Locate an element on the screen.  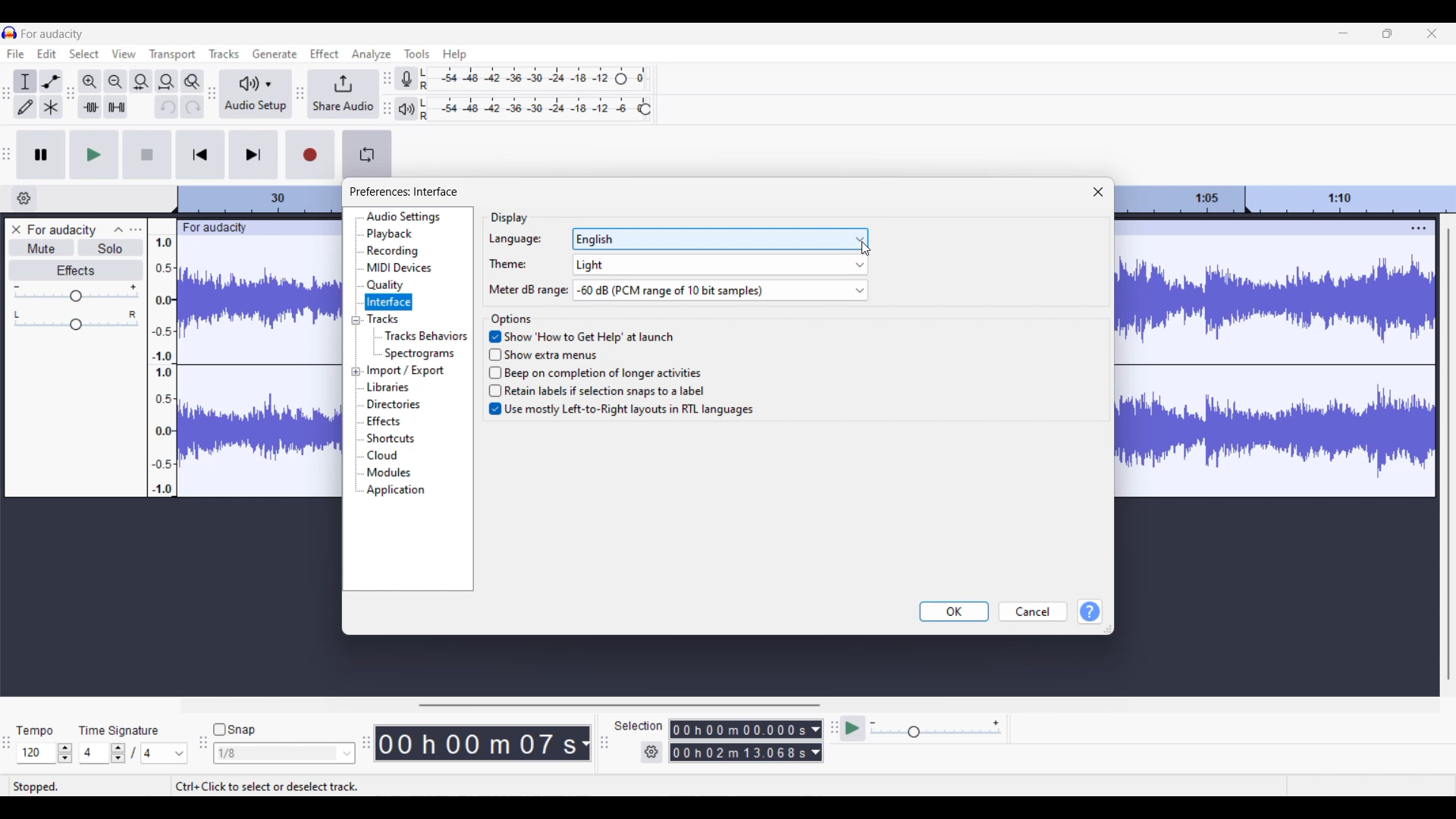
Playback meter is located at coordinates (405, 108).